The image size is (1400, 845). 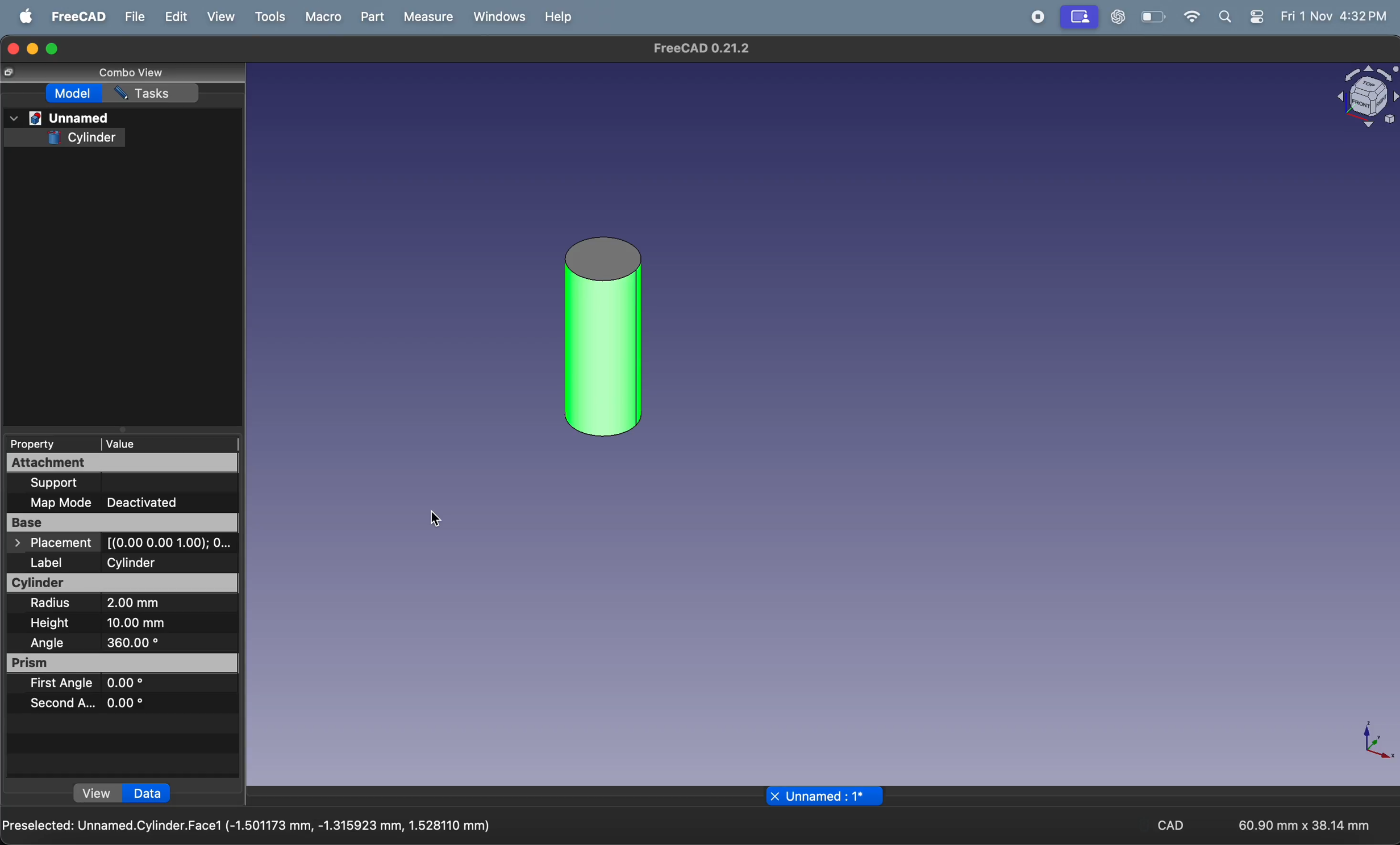 I want to click on apple menu, so click(x=21, y=16).